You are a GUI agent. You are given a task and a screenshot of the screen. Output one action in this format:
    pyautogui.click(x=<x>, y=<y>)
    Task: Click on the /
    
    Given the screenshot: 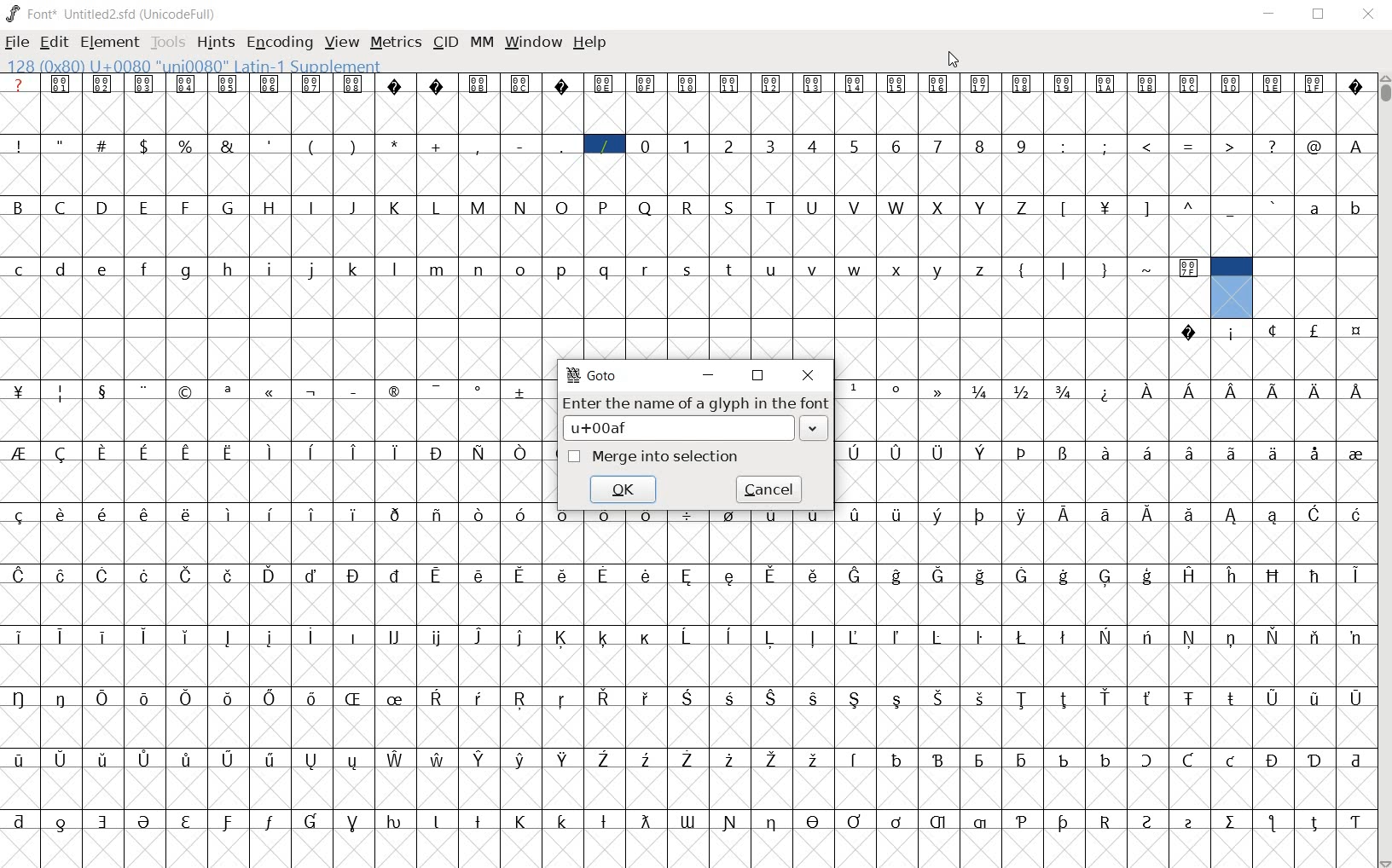 What is the action you would take?
    pyautogui.click(x=604, y=144)
    